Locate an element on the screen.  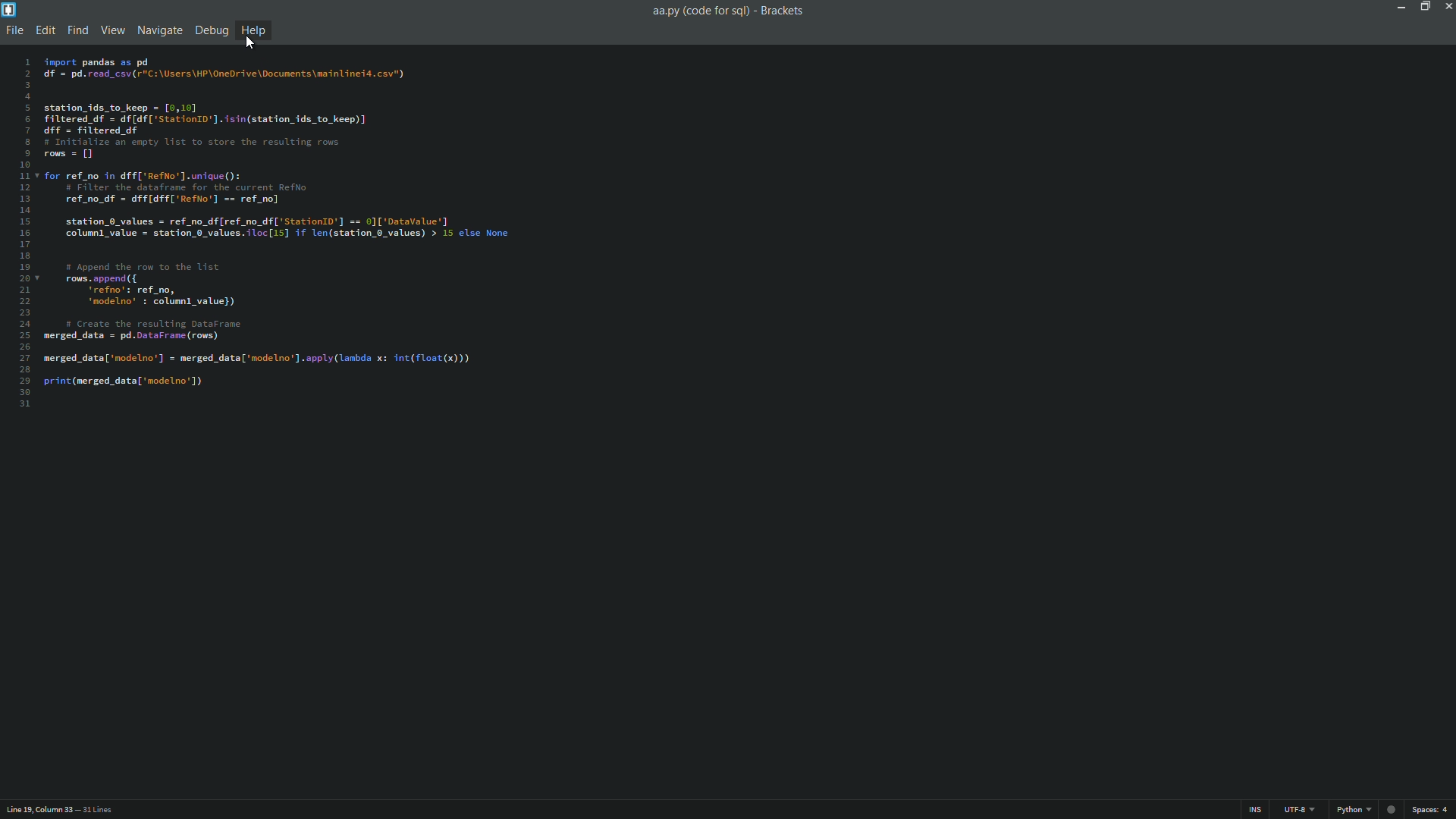
spaces: 4 is located at coordinates (1429, 808).